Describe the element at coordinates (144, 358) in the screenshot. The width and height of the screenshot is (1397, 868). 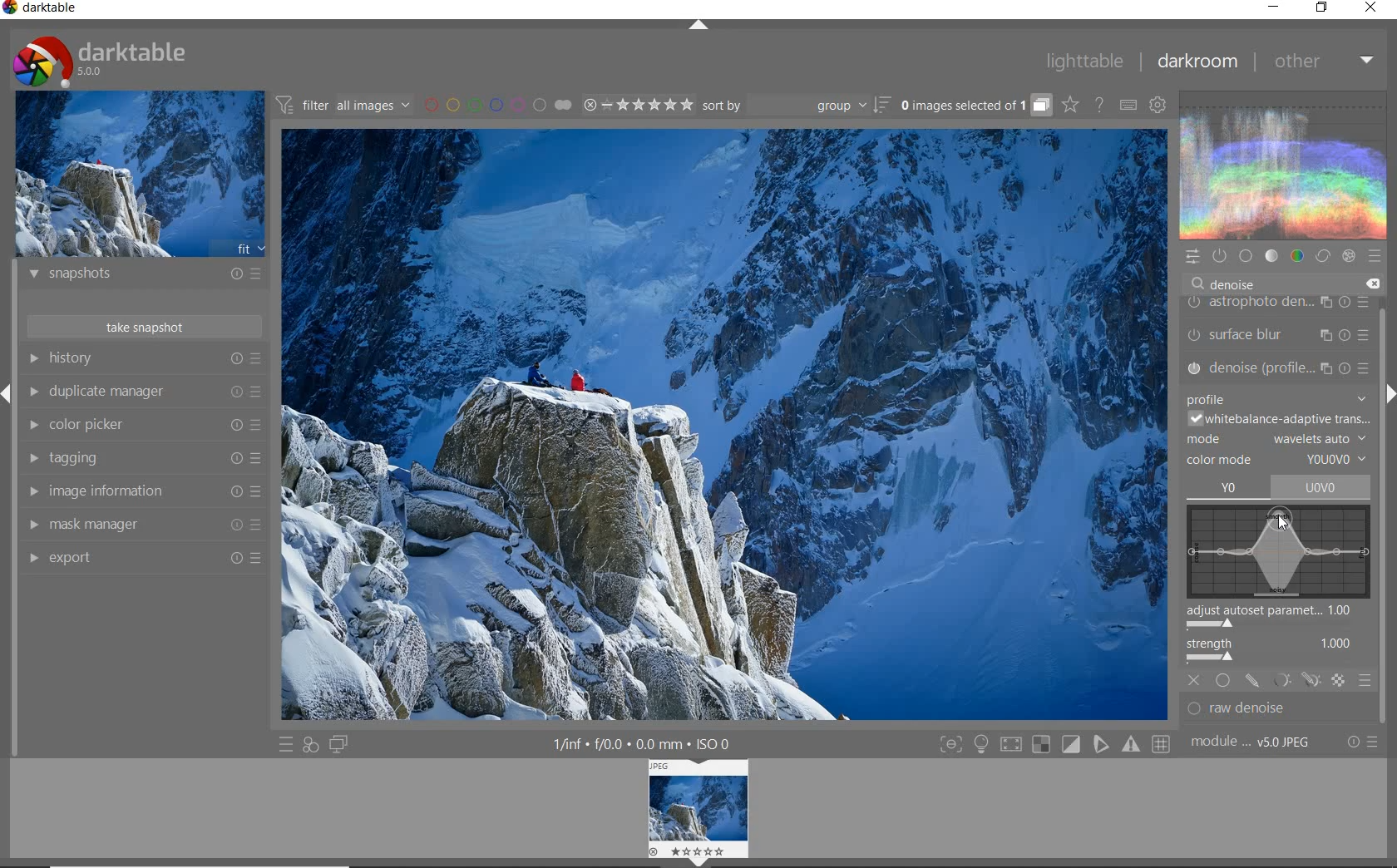
I see `history` at that location.